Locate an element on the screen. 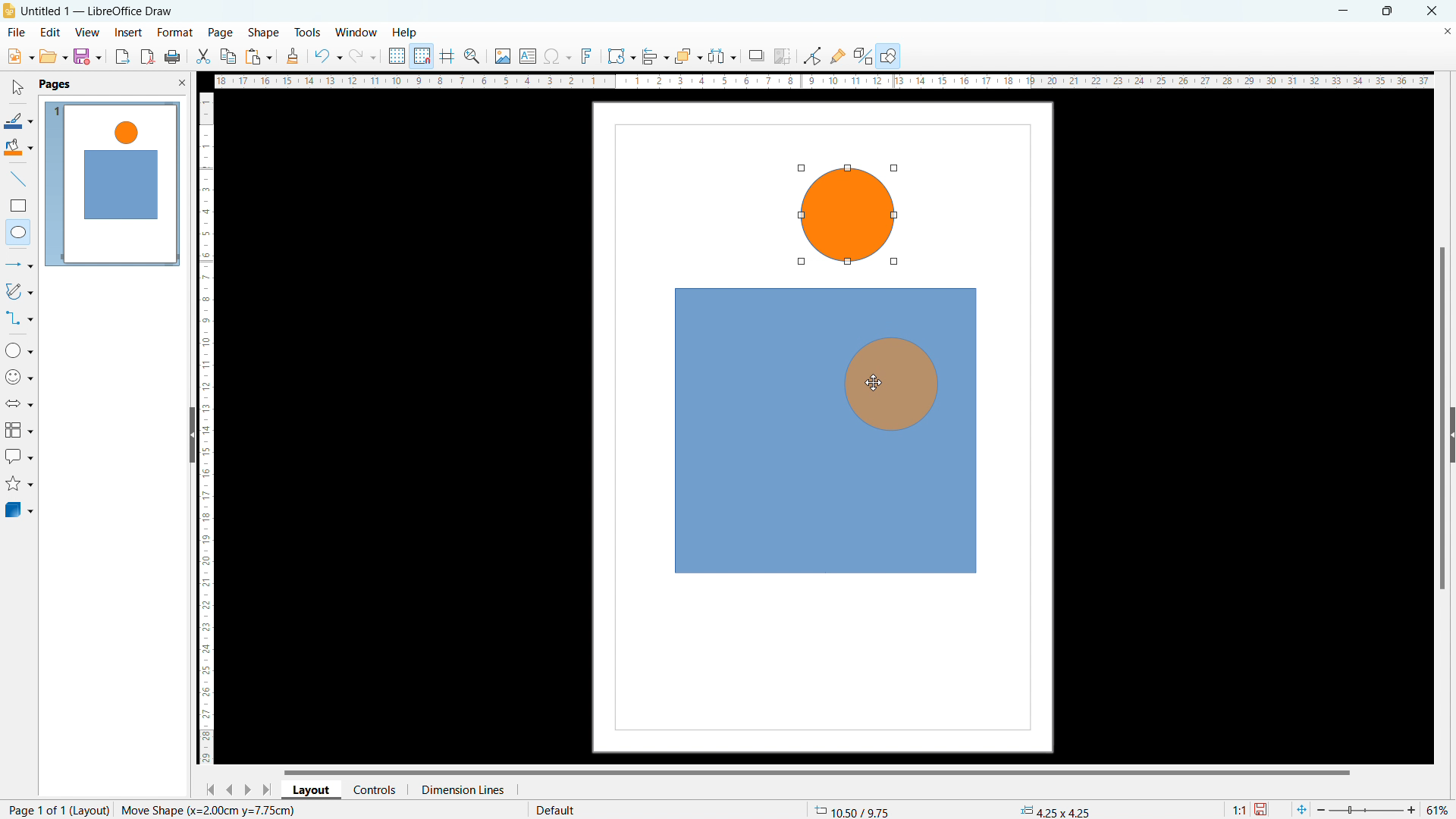  document title is located at coordinates (100, 11).